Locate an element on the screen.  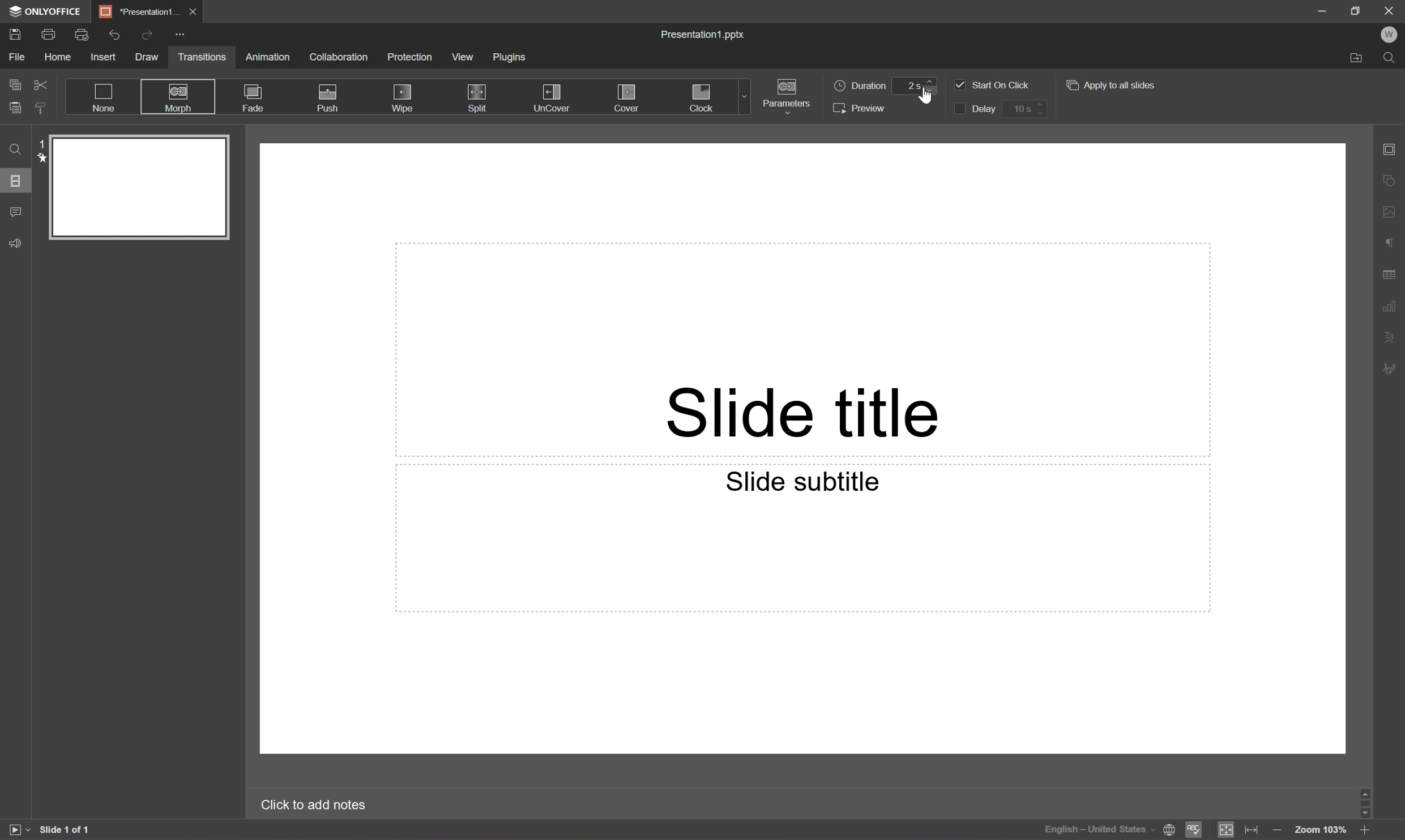
Slide 1 of 1 is located at coordinates (65, 829).